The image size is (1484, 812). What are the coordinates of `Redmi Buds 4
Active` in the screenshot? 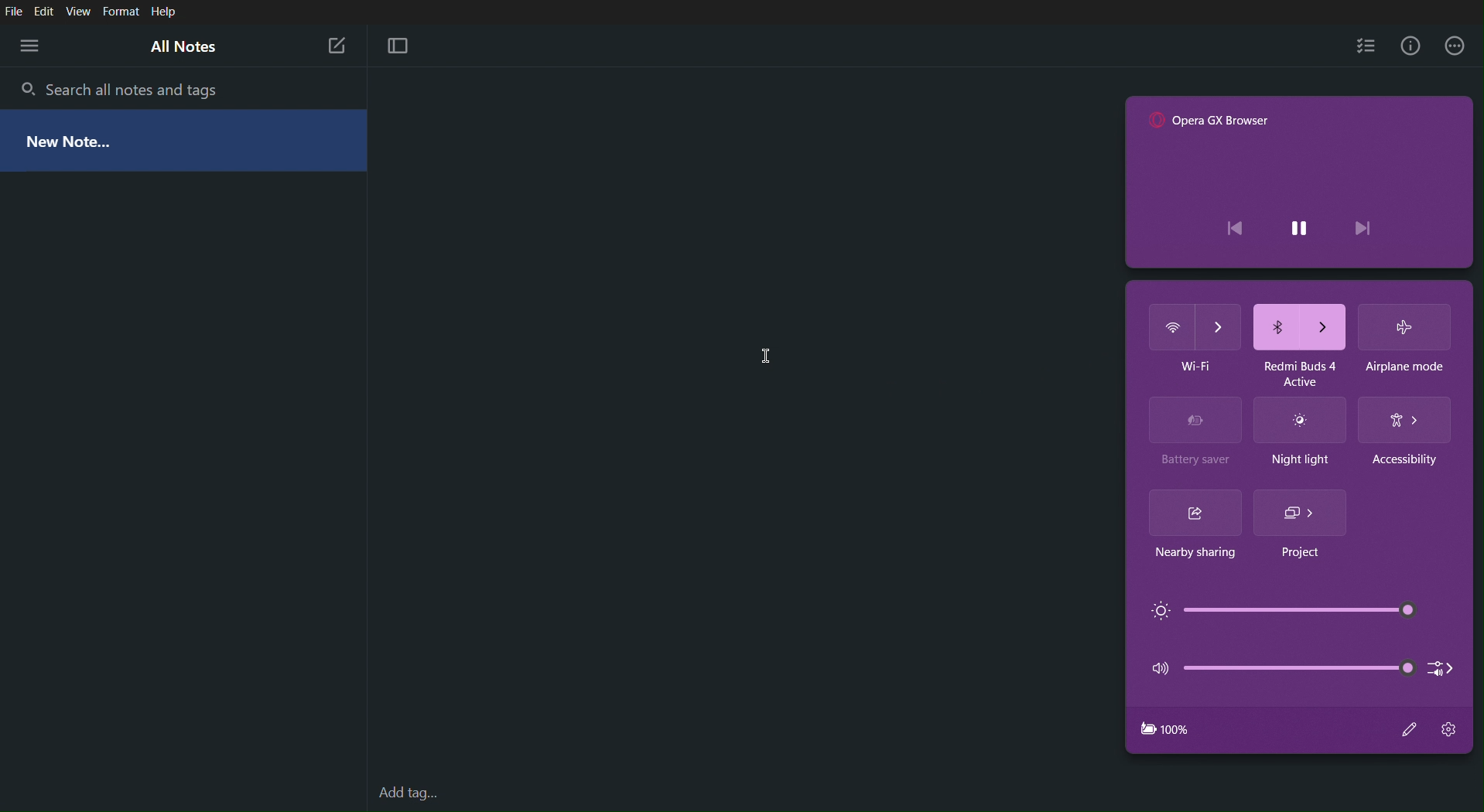 It's located at (1299, 368).